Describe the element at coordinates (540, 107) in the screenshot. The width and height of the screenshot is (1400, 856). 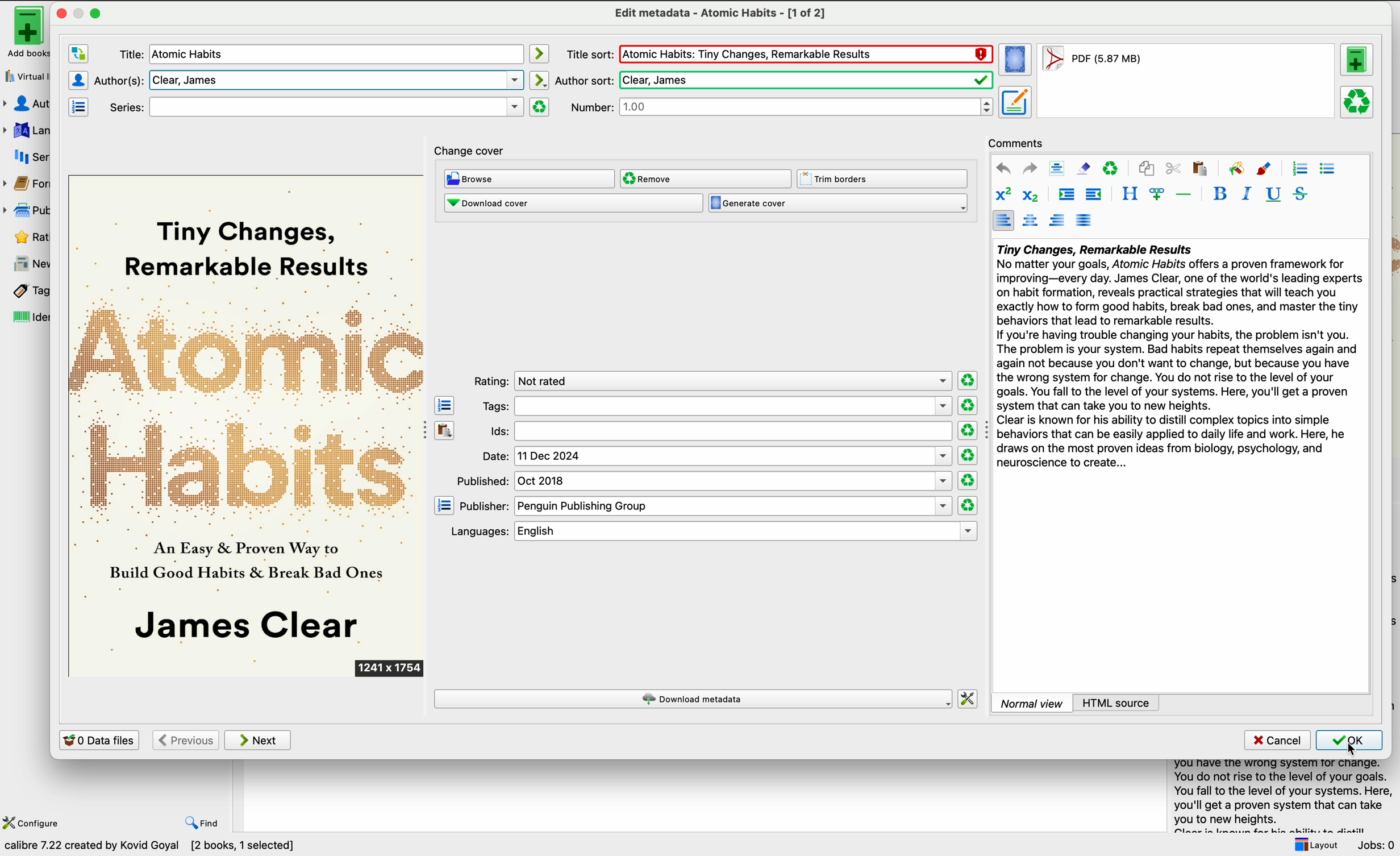
I see `clear series` at that location.